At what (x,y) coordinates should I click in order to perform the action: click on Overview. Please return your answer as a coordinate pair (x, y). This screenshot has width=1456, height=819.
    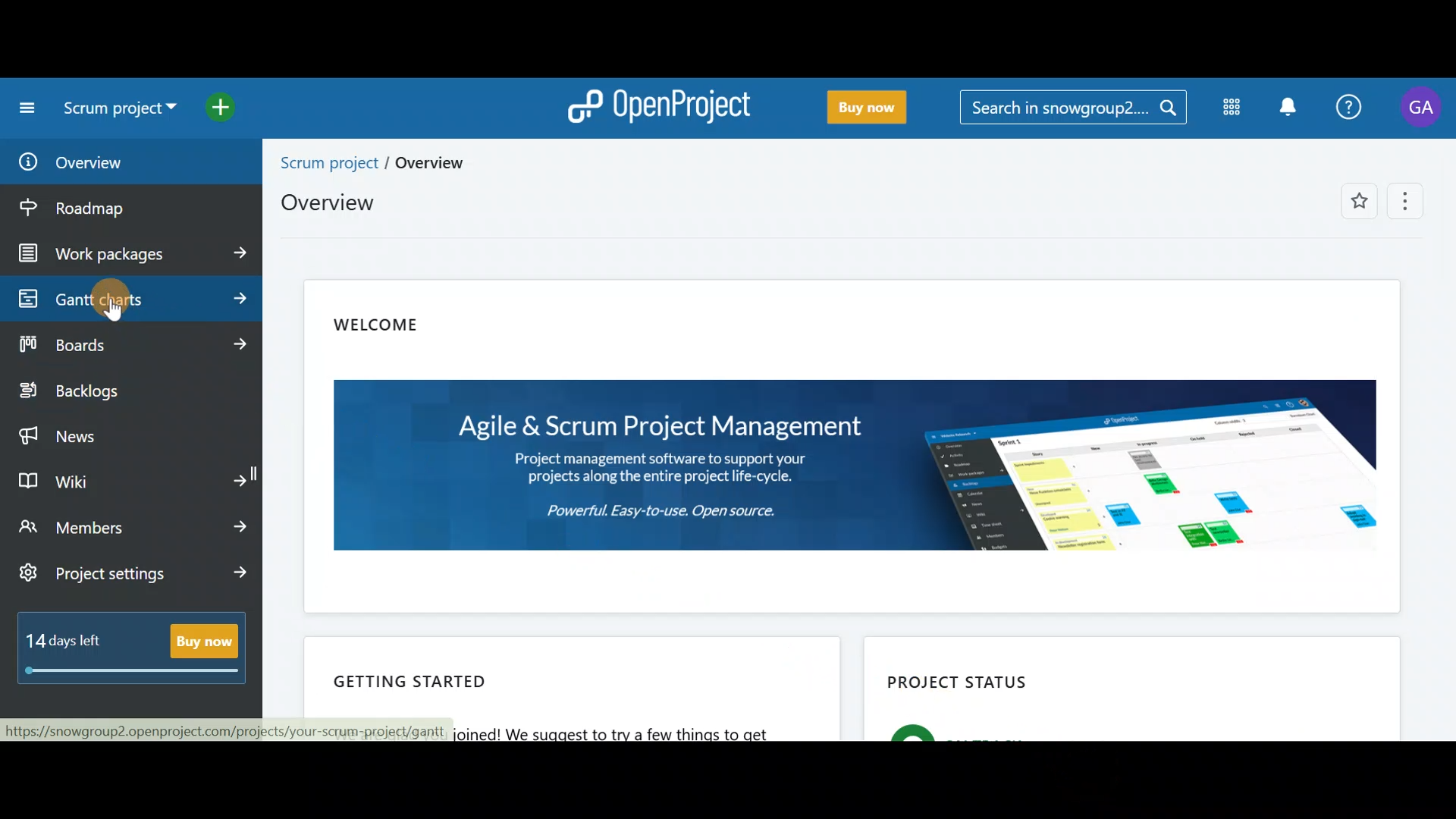
    Looking at the image, I should click on (126, 160).